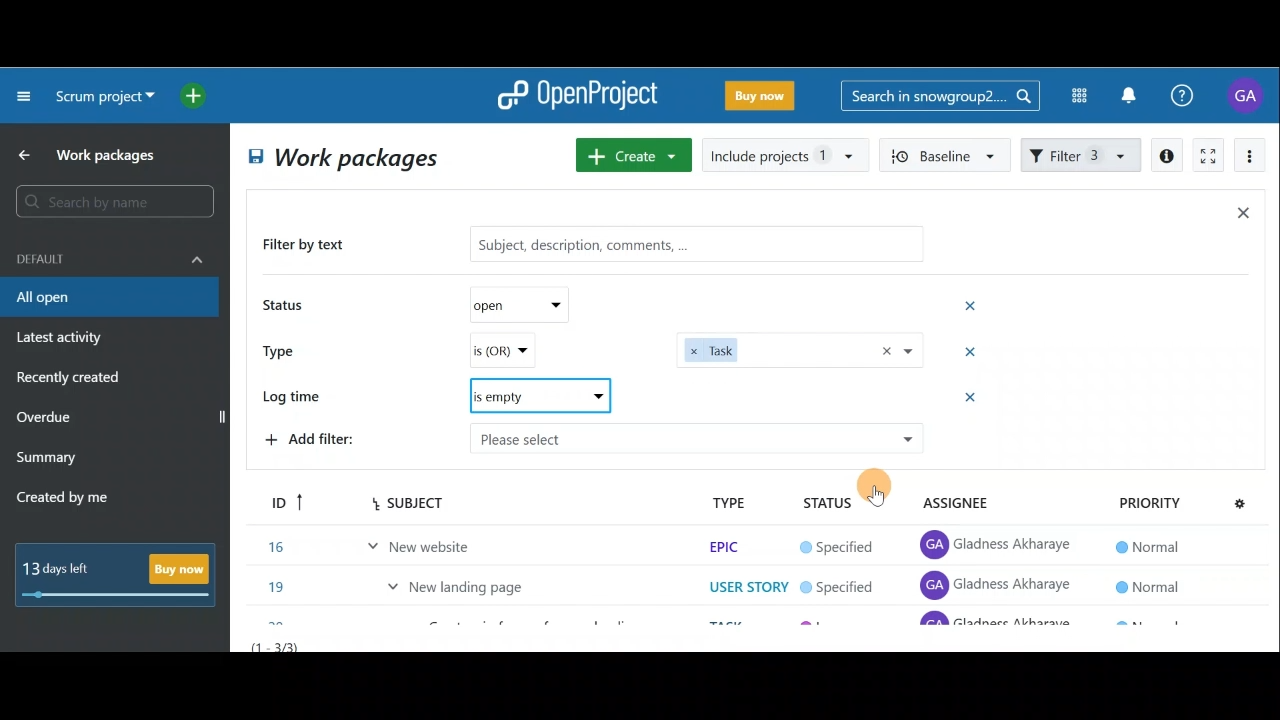  I want to click on user story, so click(743, 583).